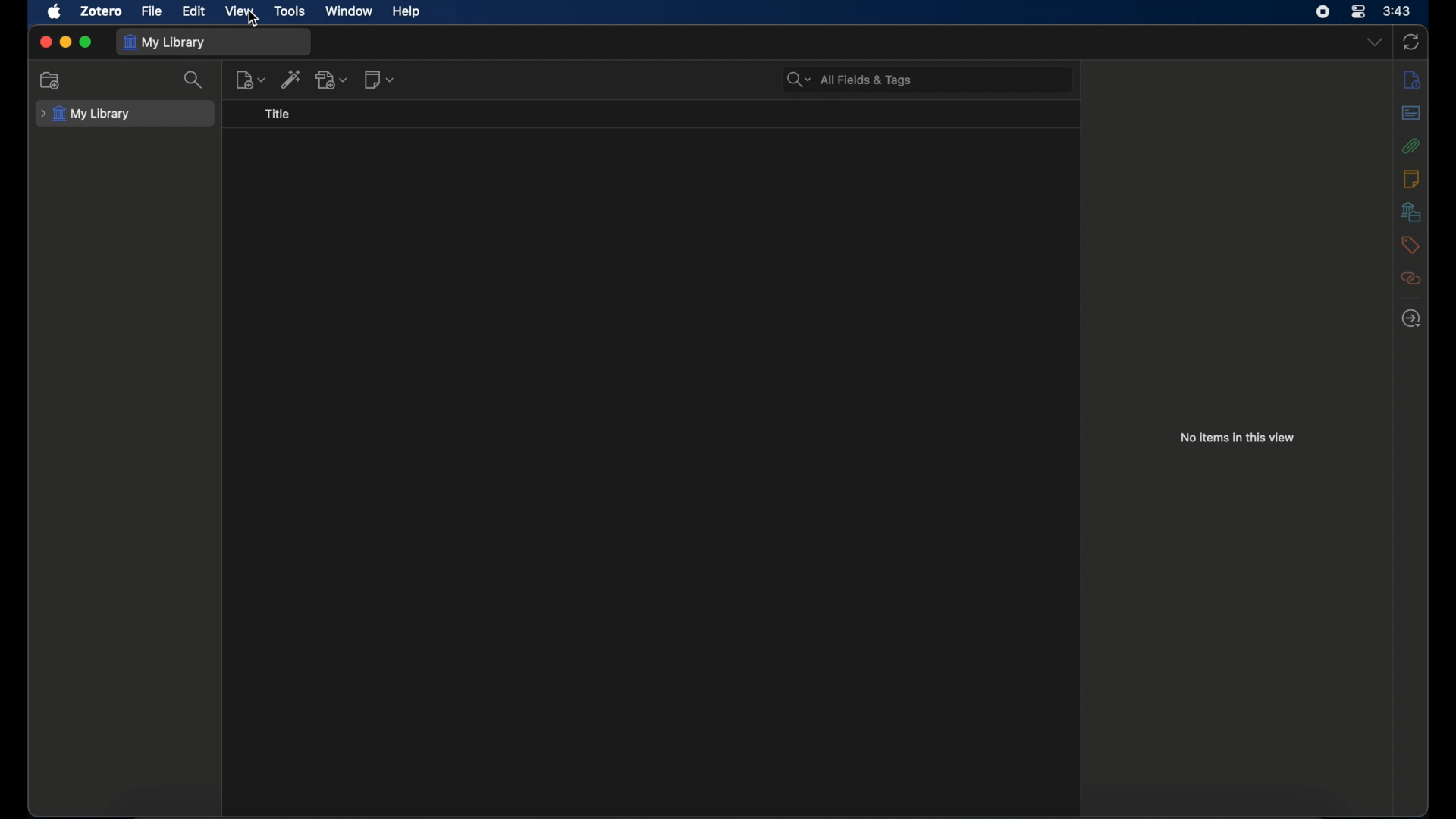 This screenshot has width=1456, height=819. I want to click on time, so click(1397, 11).